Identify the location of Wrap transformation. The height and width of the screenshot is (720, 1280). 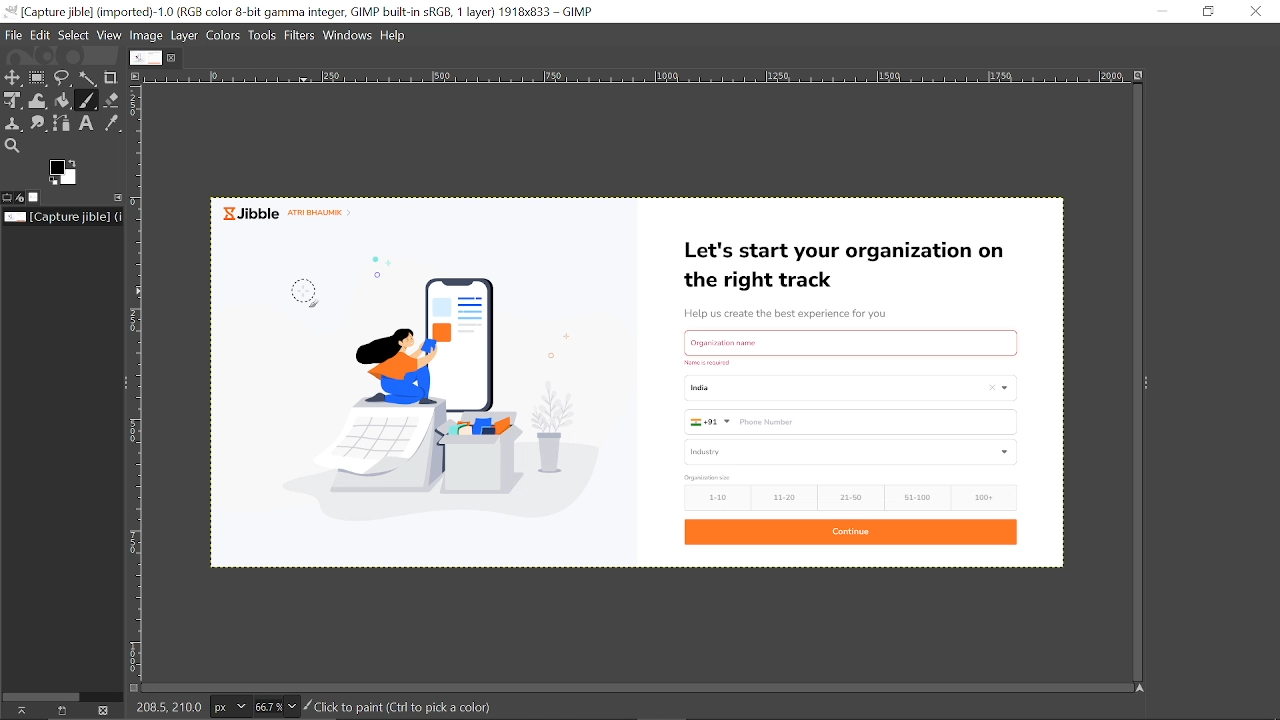
(39, 100).